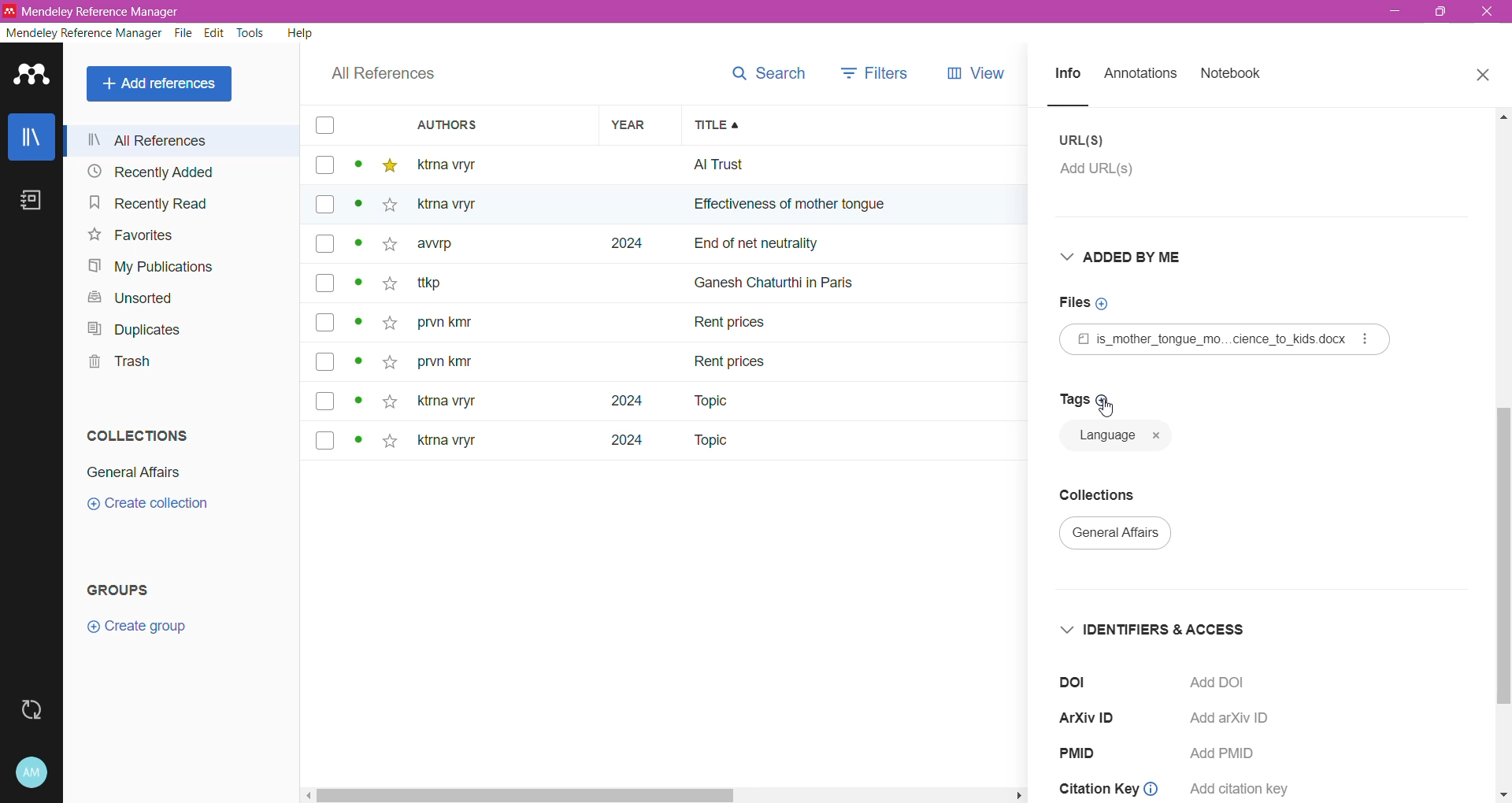 This screenshot has height=803, width=1512. Describe the element at coordinates (766, 73) in the screenshot. I see `search` at that location.